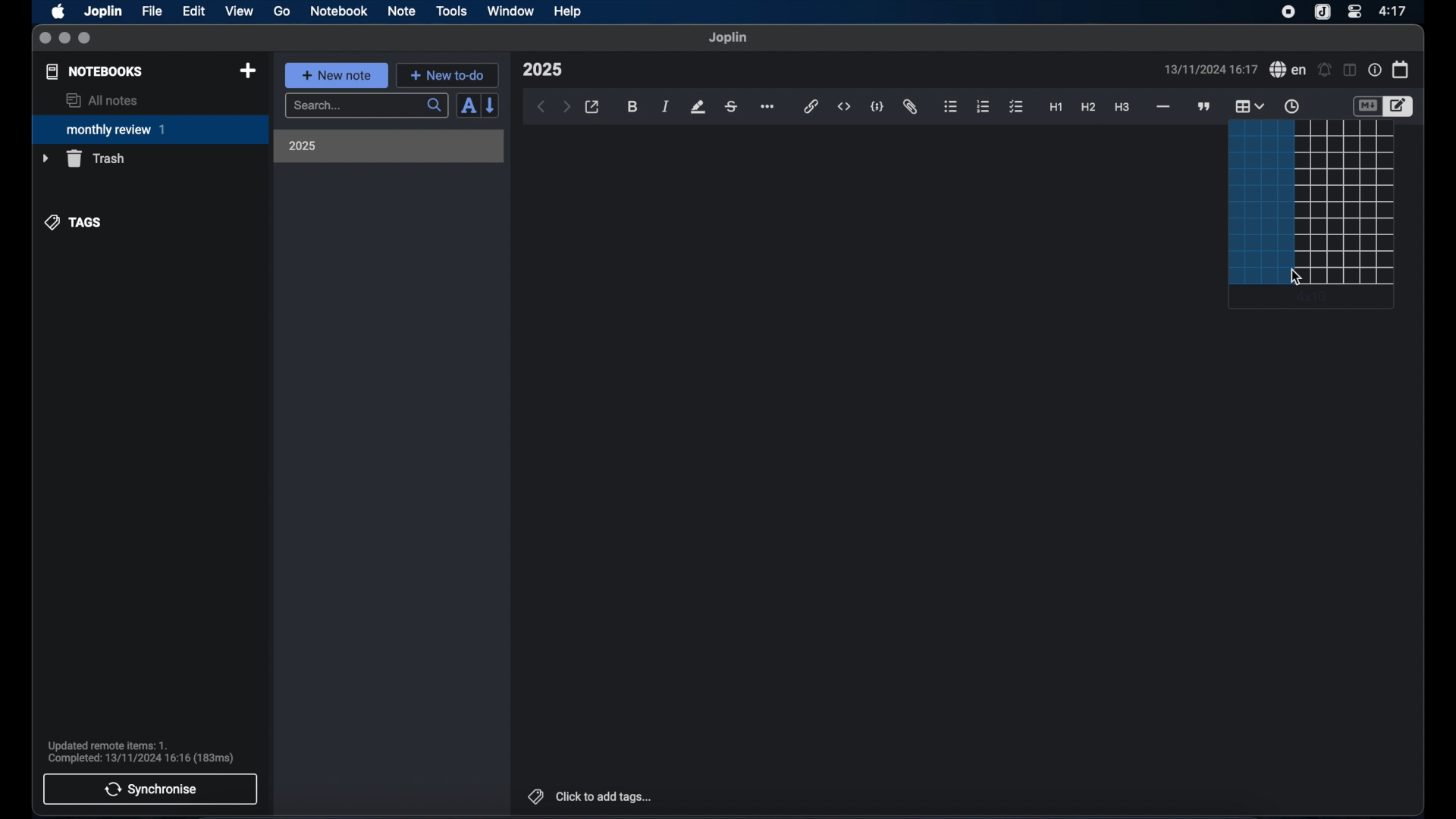  Describe the element at coordinates (141, 752) in the screenshot. I see `sync notification` at that location.